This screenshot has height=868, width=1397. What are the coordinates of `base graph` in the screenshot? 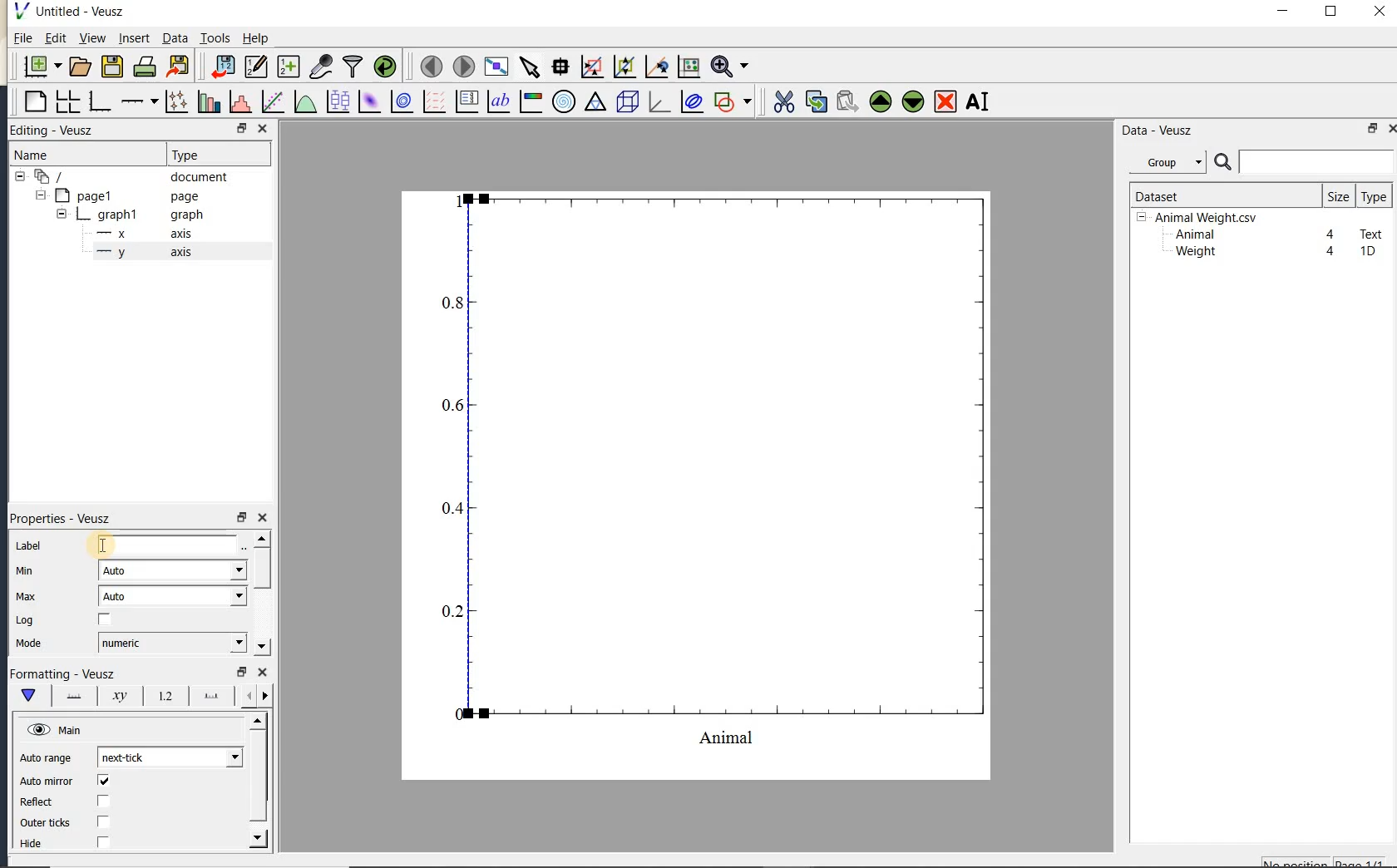 It's located at (98, 101).